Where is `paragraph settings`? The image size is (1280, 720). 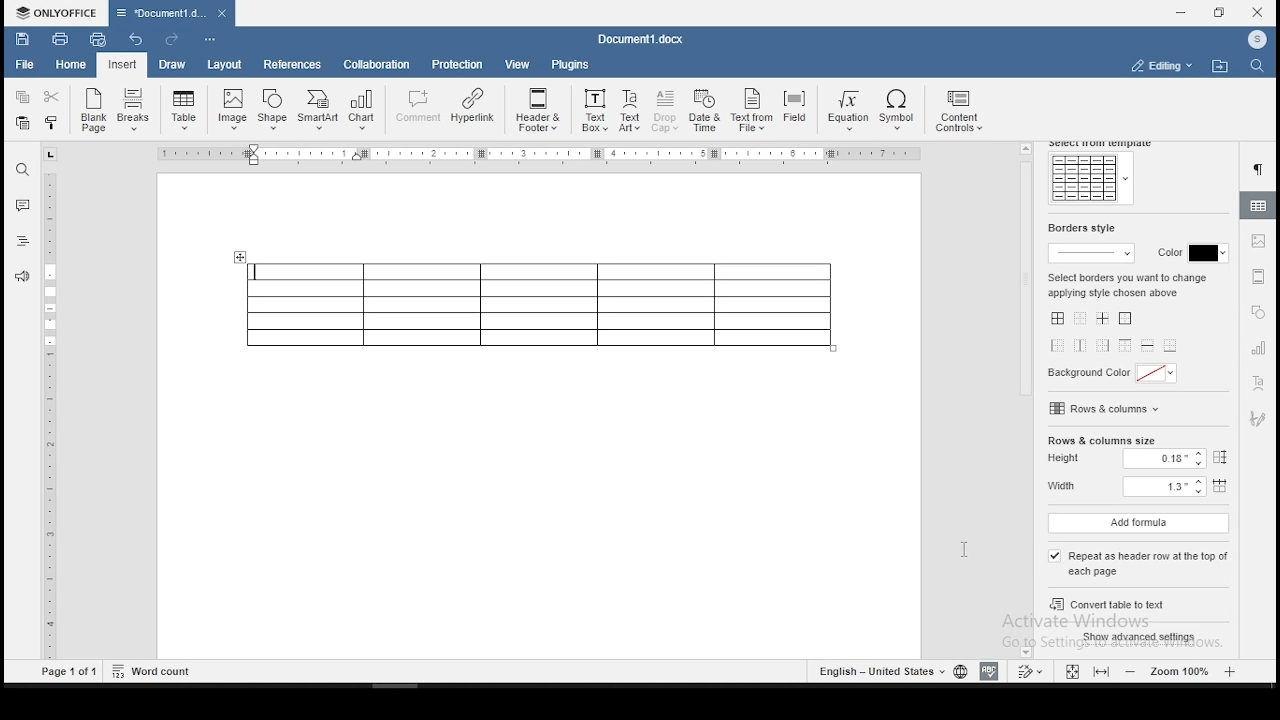 paragraph settings is located at coordinates (1261, 170).